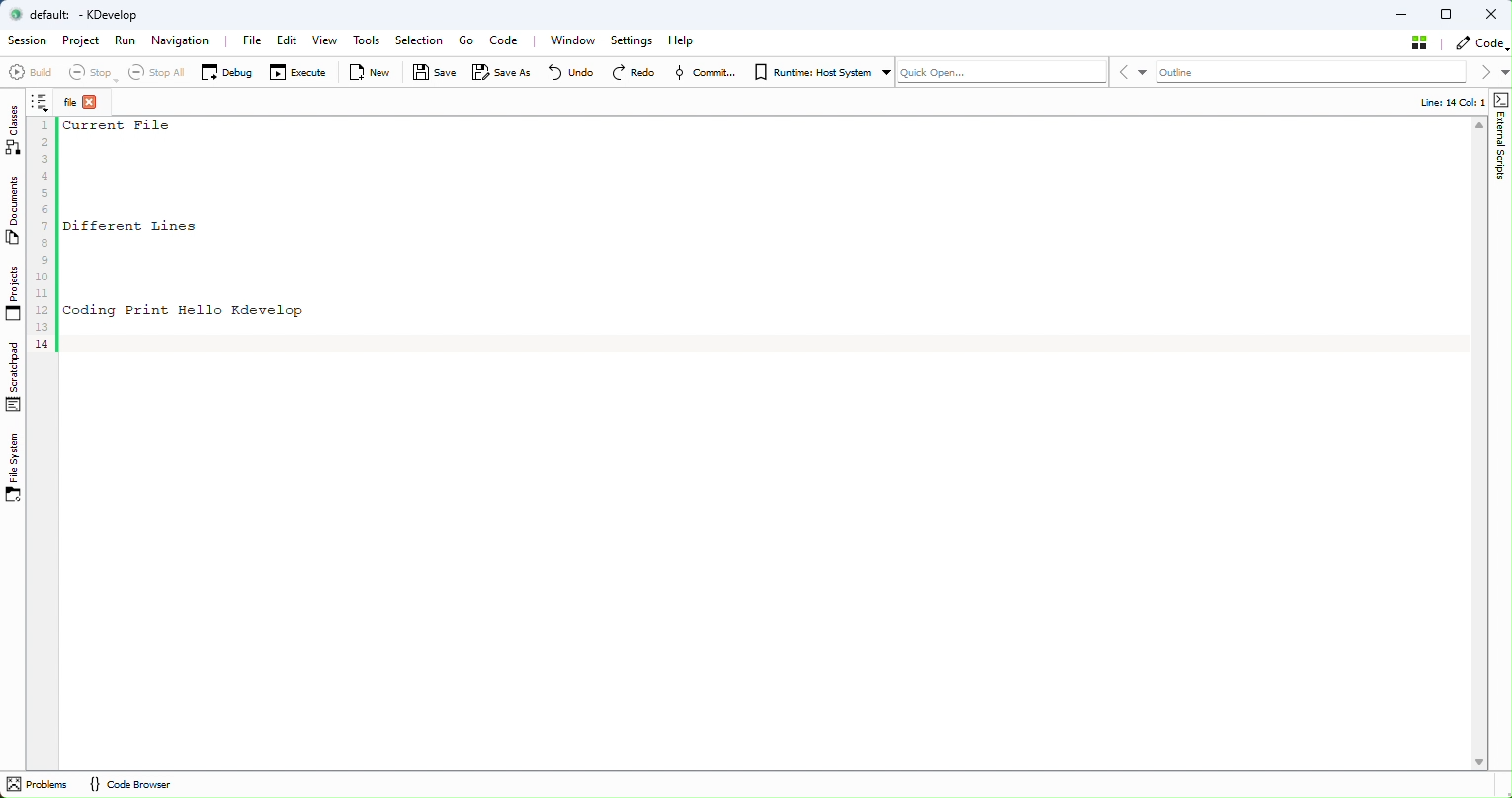 The image size is (1512, 798). What do you see at coordinates (252, 40) in the screenshot?
I see `File` at bounding box center [252, 40].